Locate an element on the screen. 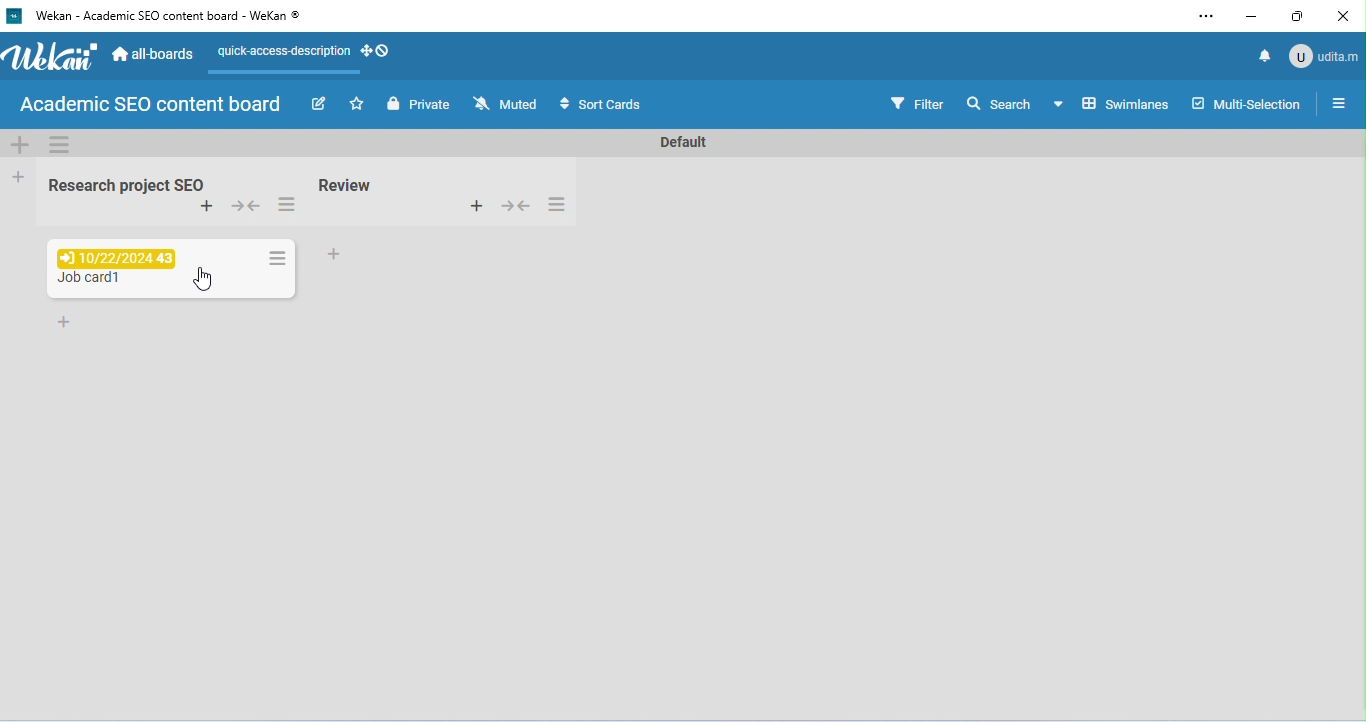  search is located at coordinates (998, 102).